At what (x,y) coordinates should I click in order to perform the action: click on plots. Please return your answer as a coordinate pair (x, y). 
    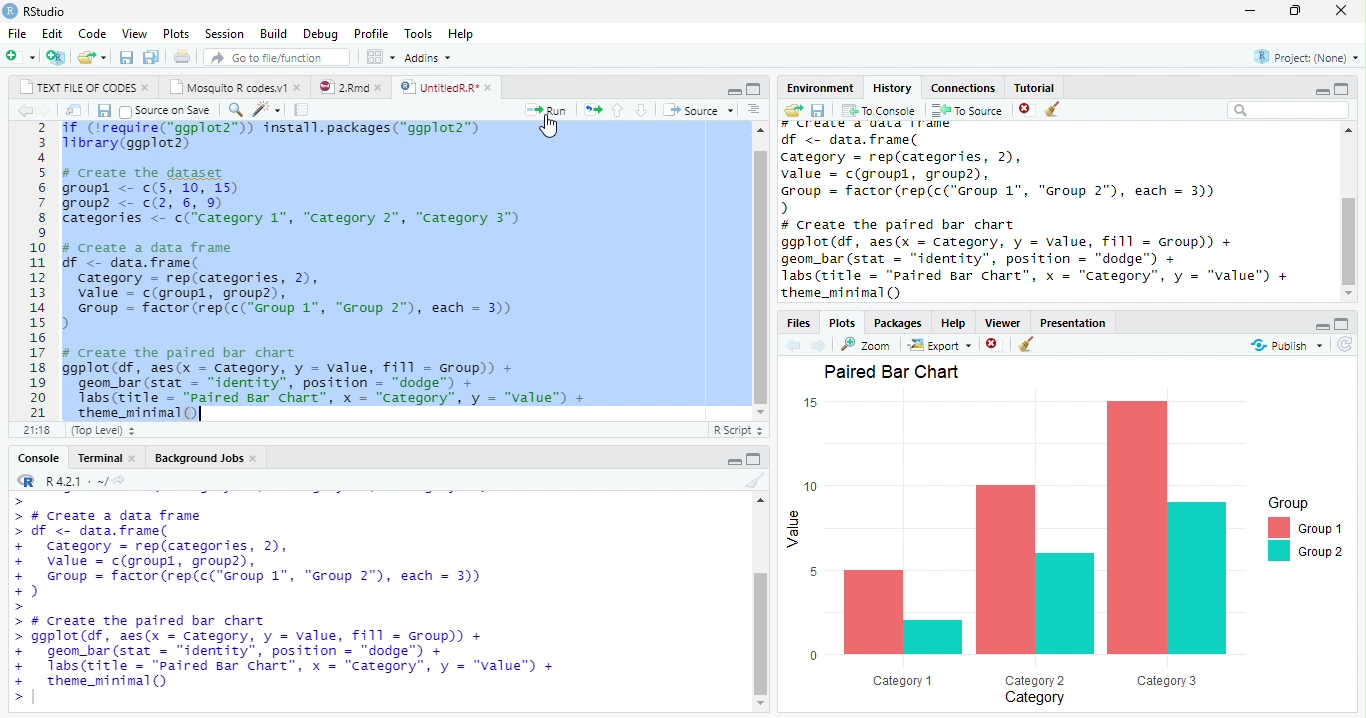
    Looking at the image, I should click on (846, 322).